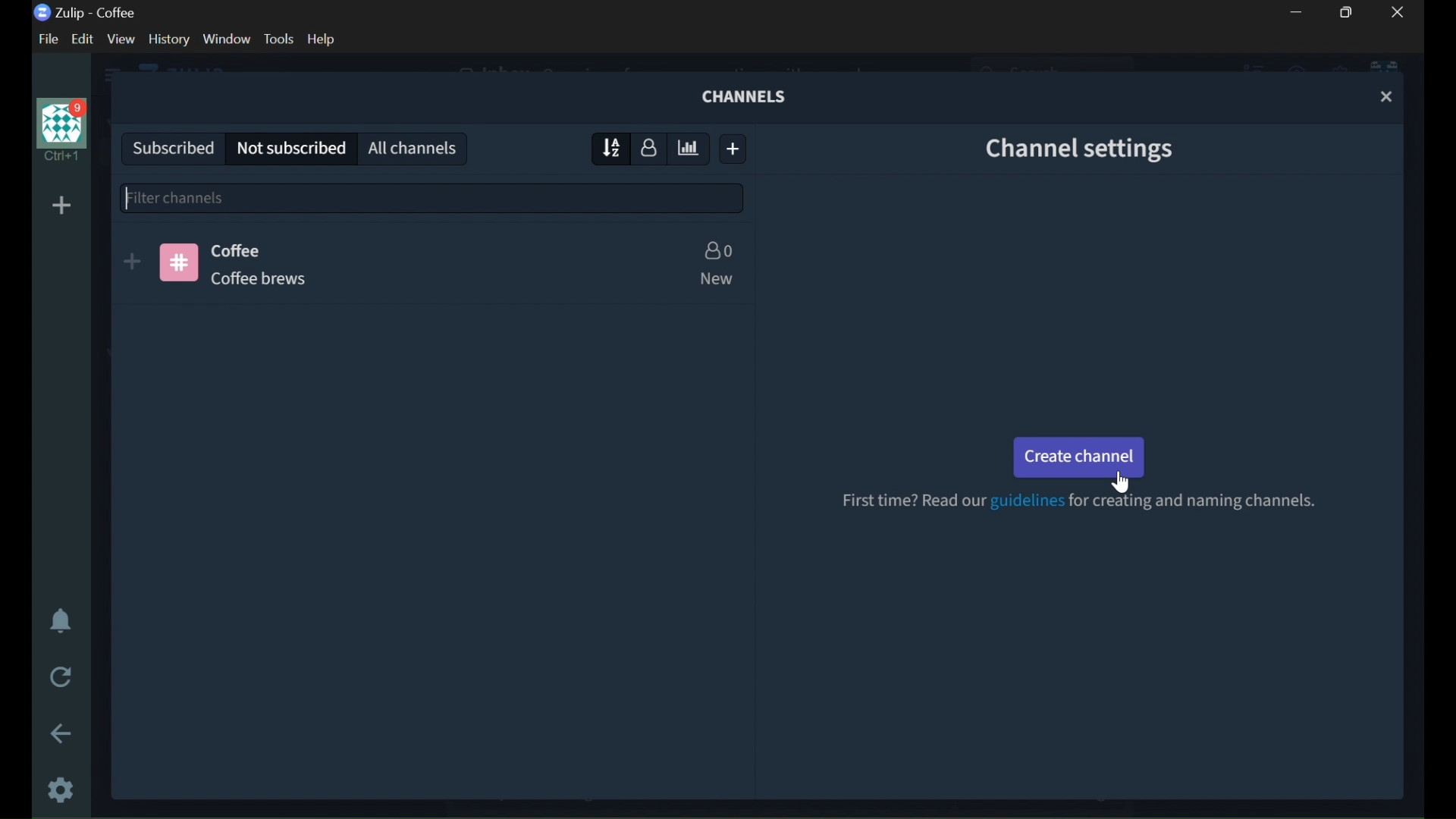 The width and height of the screenshot is (1456, 819). What do you see at coordinates (1195, 500) in the screenshot?
I see `for creating and naming channels` at bounding box center [1195, 500].